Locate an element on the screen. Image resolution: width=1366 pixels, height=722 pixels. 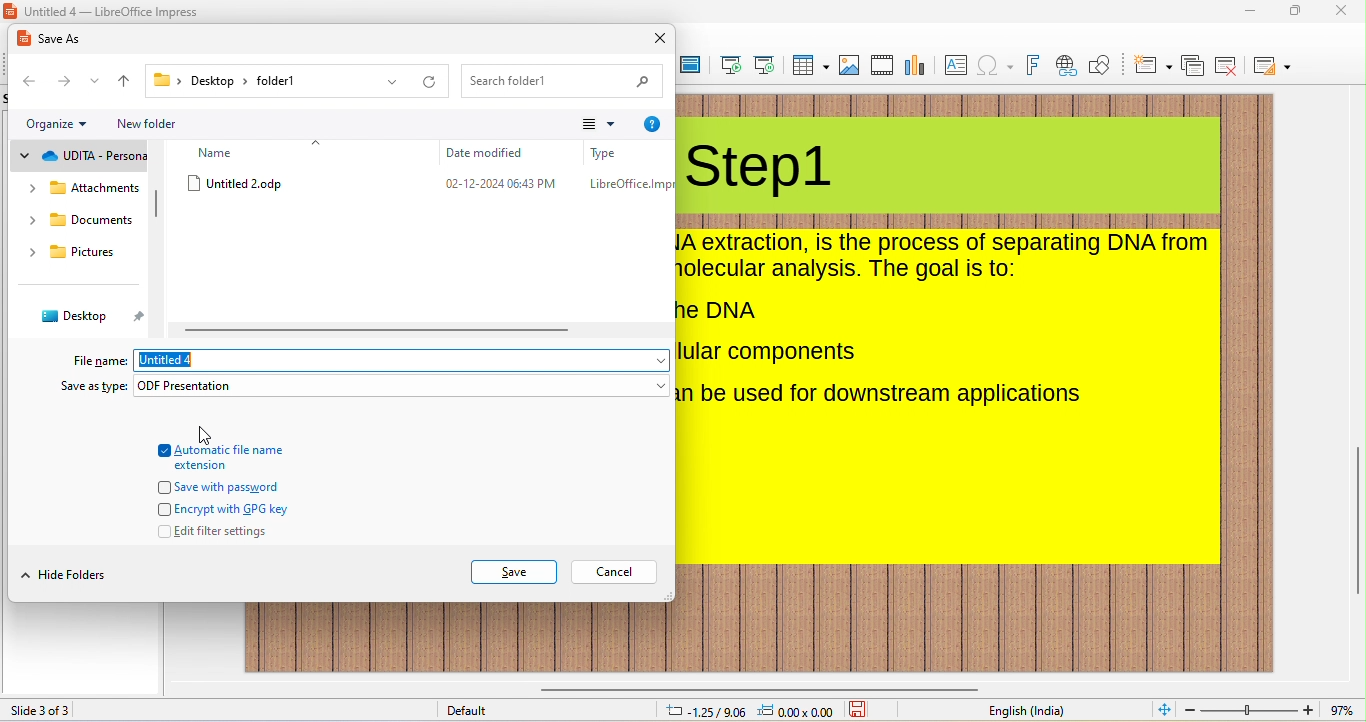
cursor and object position is located at coordinates (747, 711).